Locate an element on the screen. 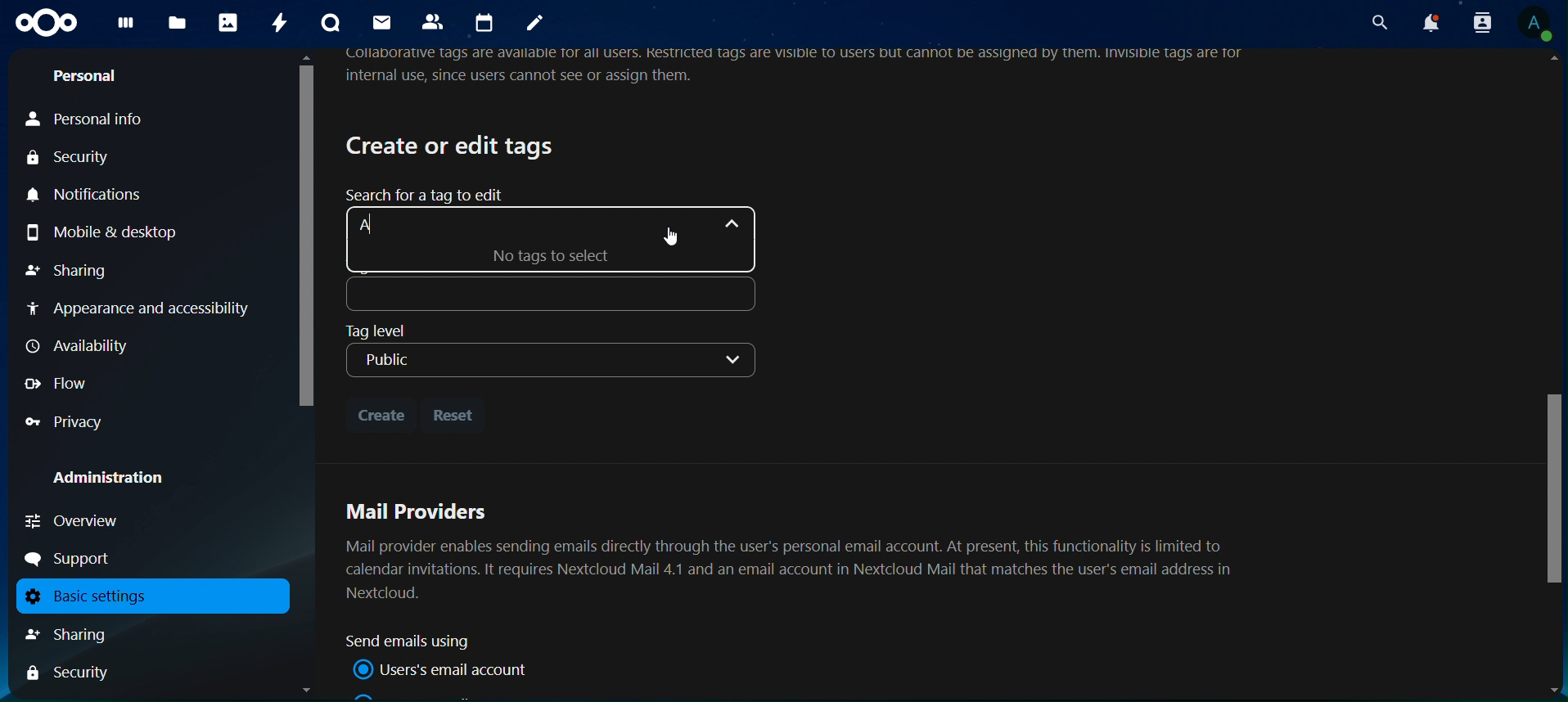  contacts is located at coordinates (436, 23).